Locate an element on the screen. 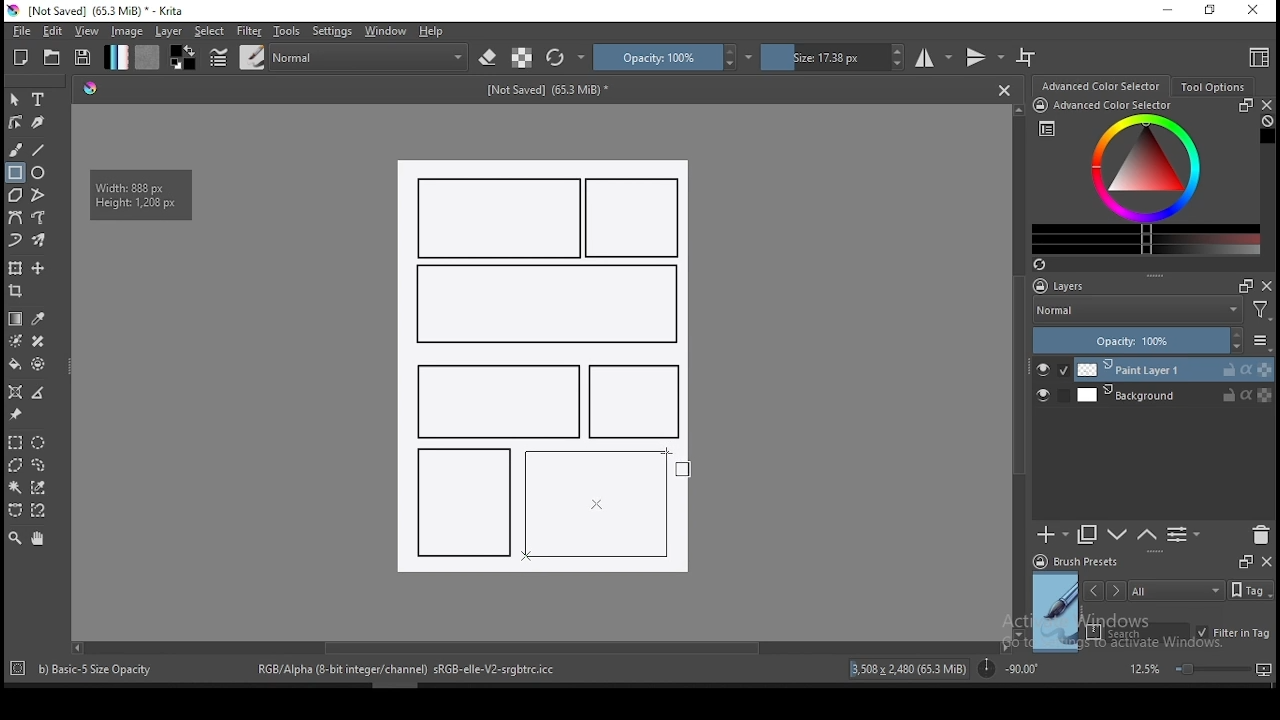 Image resolution: width=1280 pixels, height=720 pixels. filter in tag is located at coordinates (1233, 634).